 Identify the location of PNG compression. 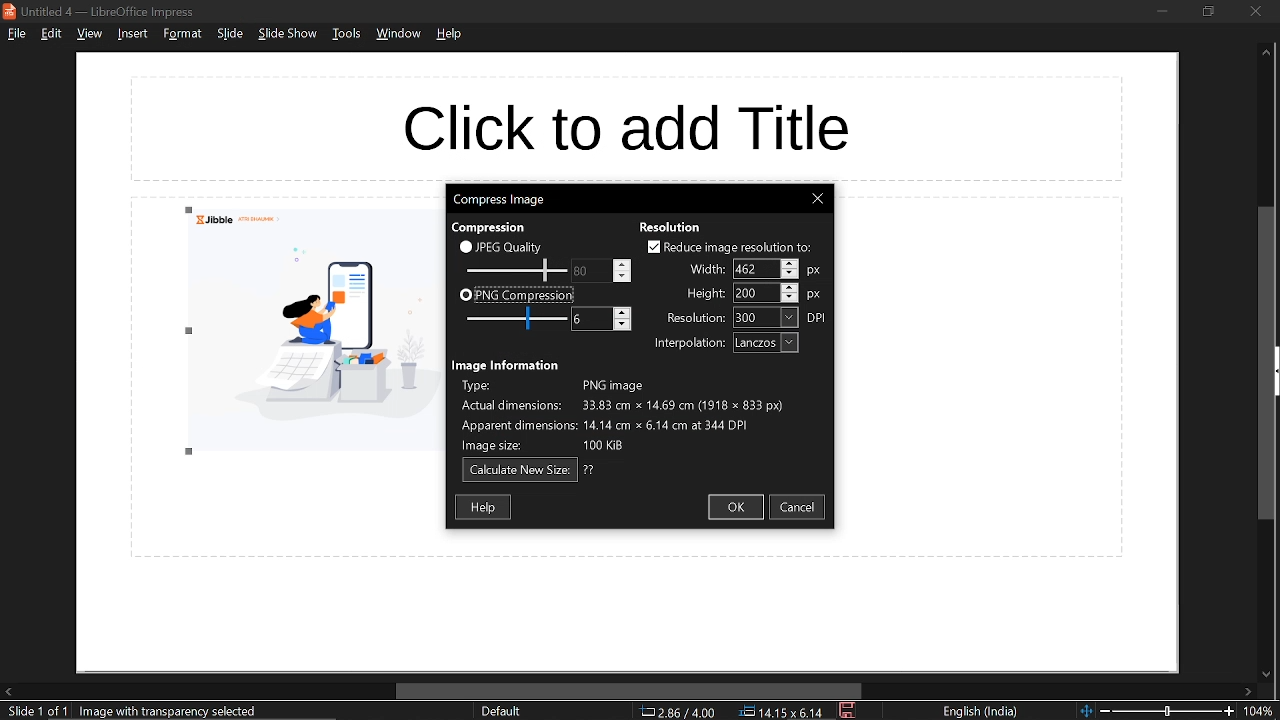
(516, 296).